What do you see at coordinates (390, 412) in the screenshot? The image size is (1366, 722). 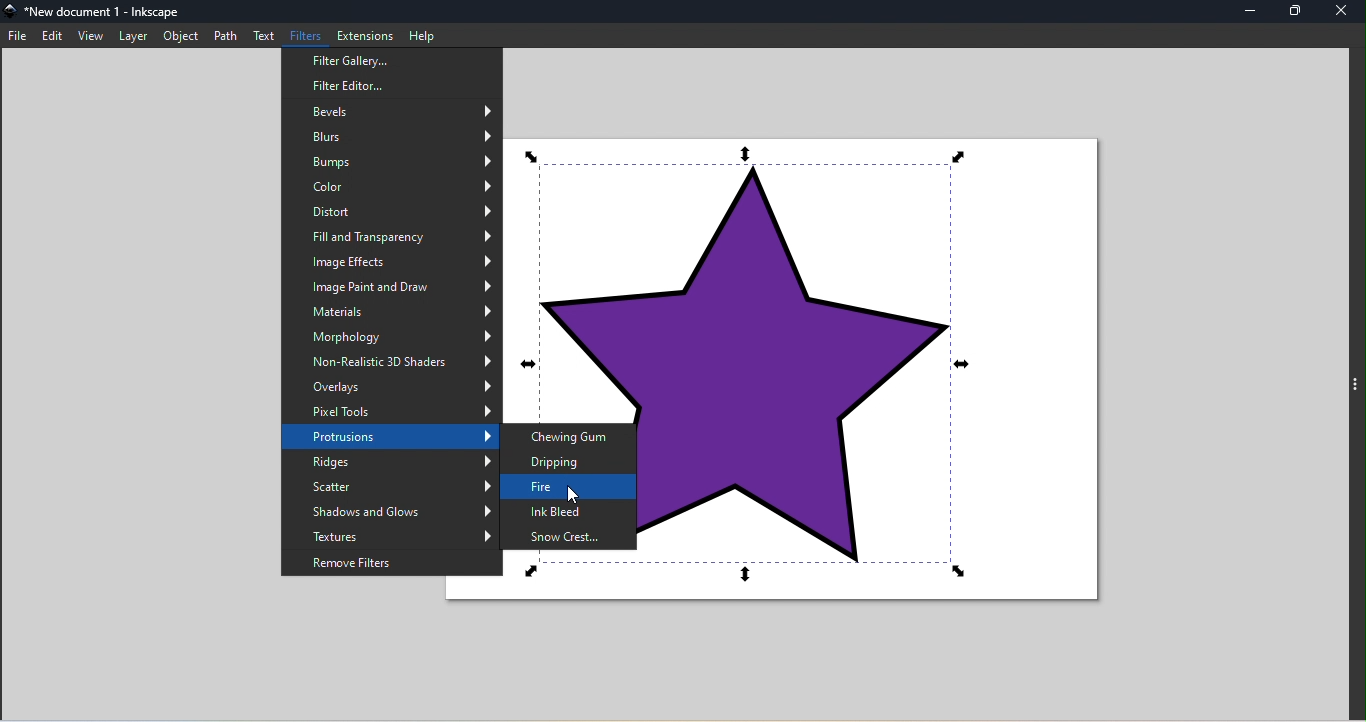 I see `Pixels` at bounding box center [390, 412].